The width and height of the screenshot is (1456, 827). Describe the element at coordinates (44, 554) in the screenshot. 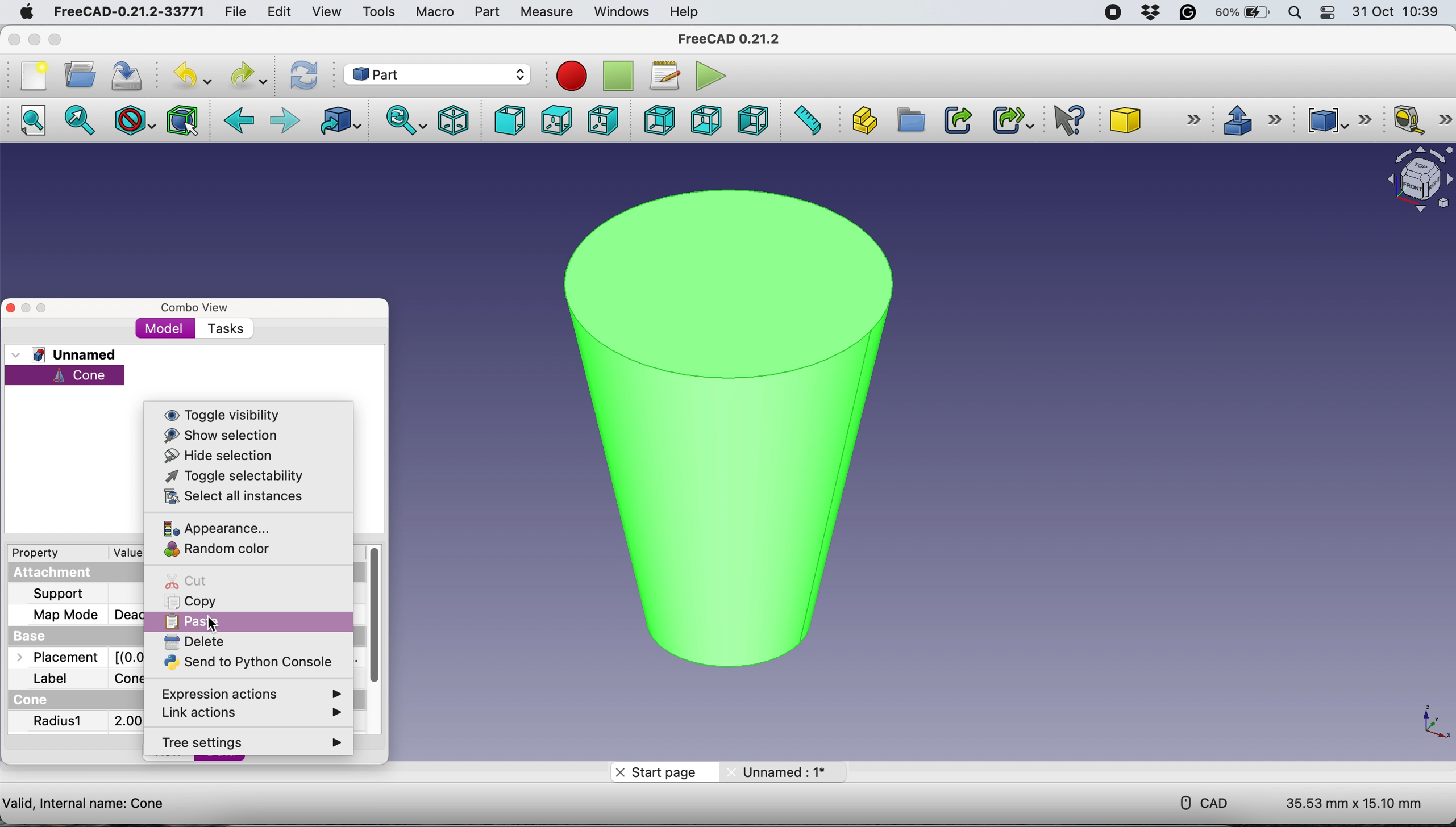

I see `property` at that location.